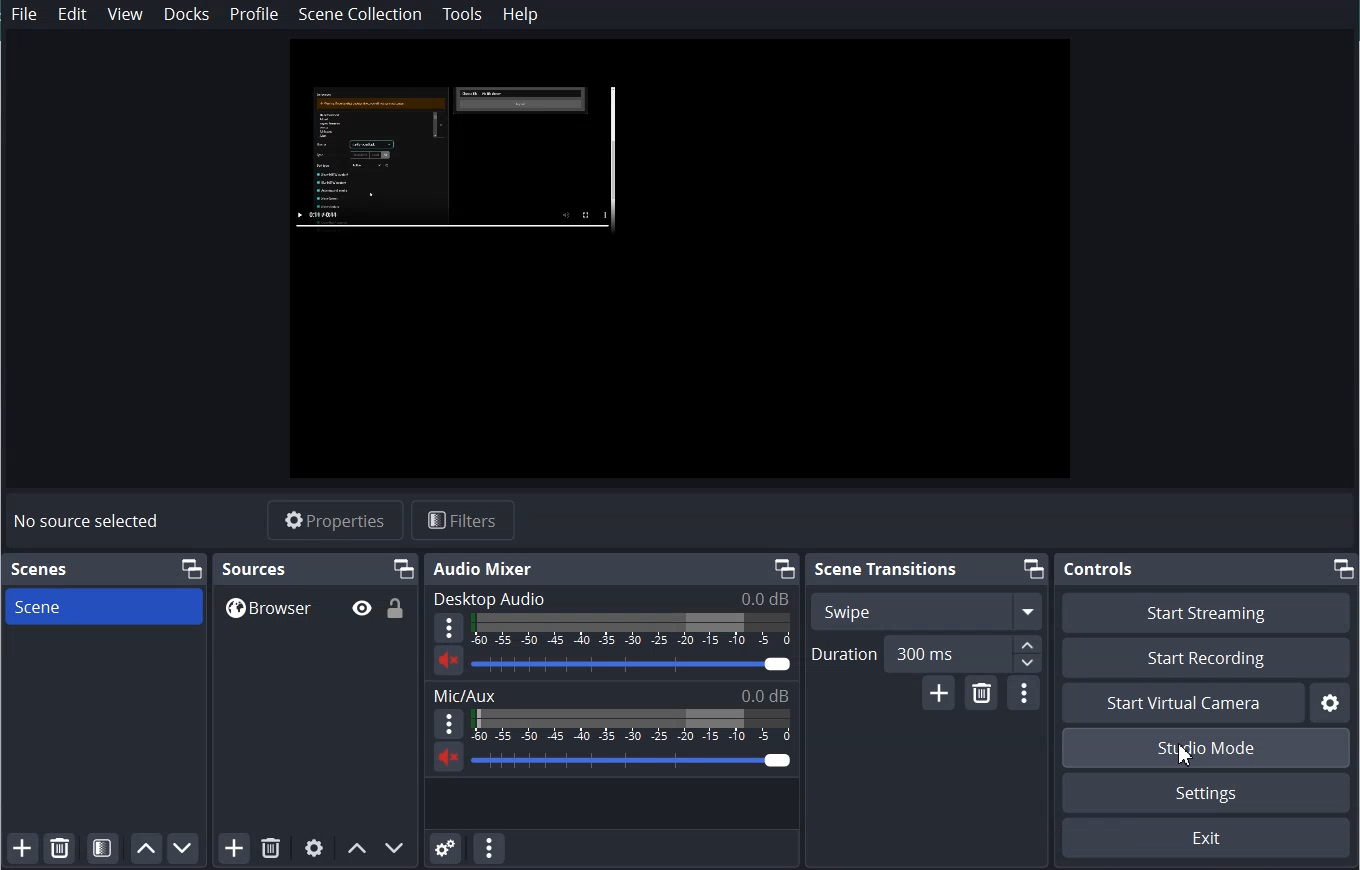  Describe the element at coordinates (255, 568) in the screenshot. I see `sources` at that location.